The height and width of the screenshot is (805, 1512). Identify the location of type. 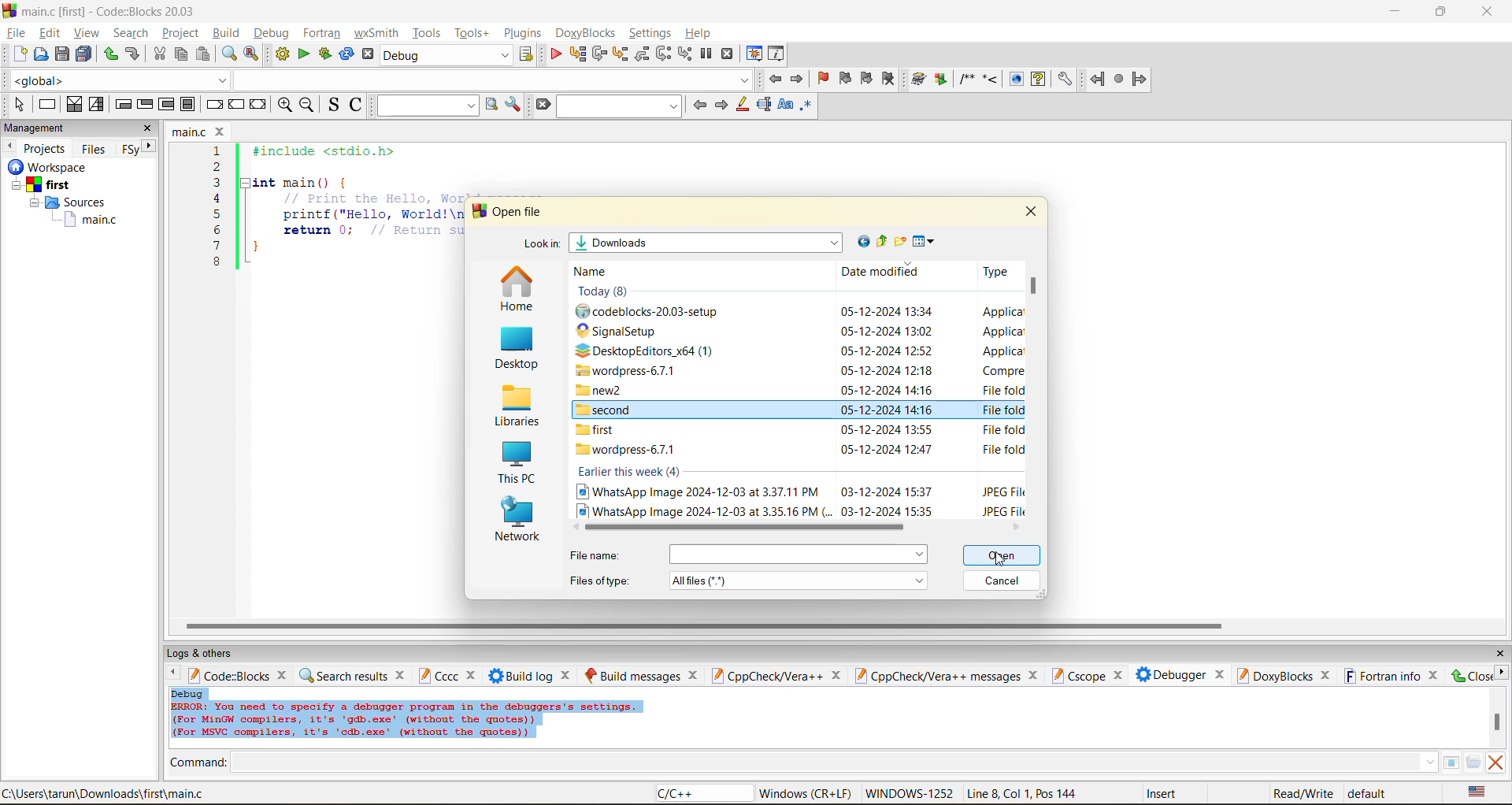
(1002, 451).